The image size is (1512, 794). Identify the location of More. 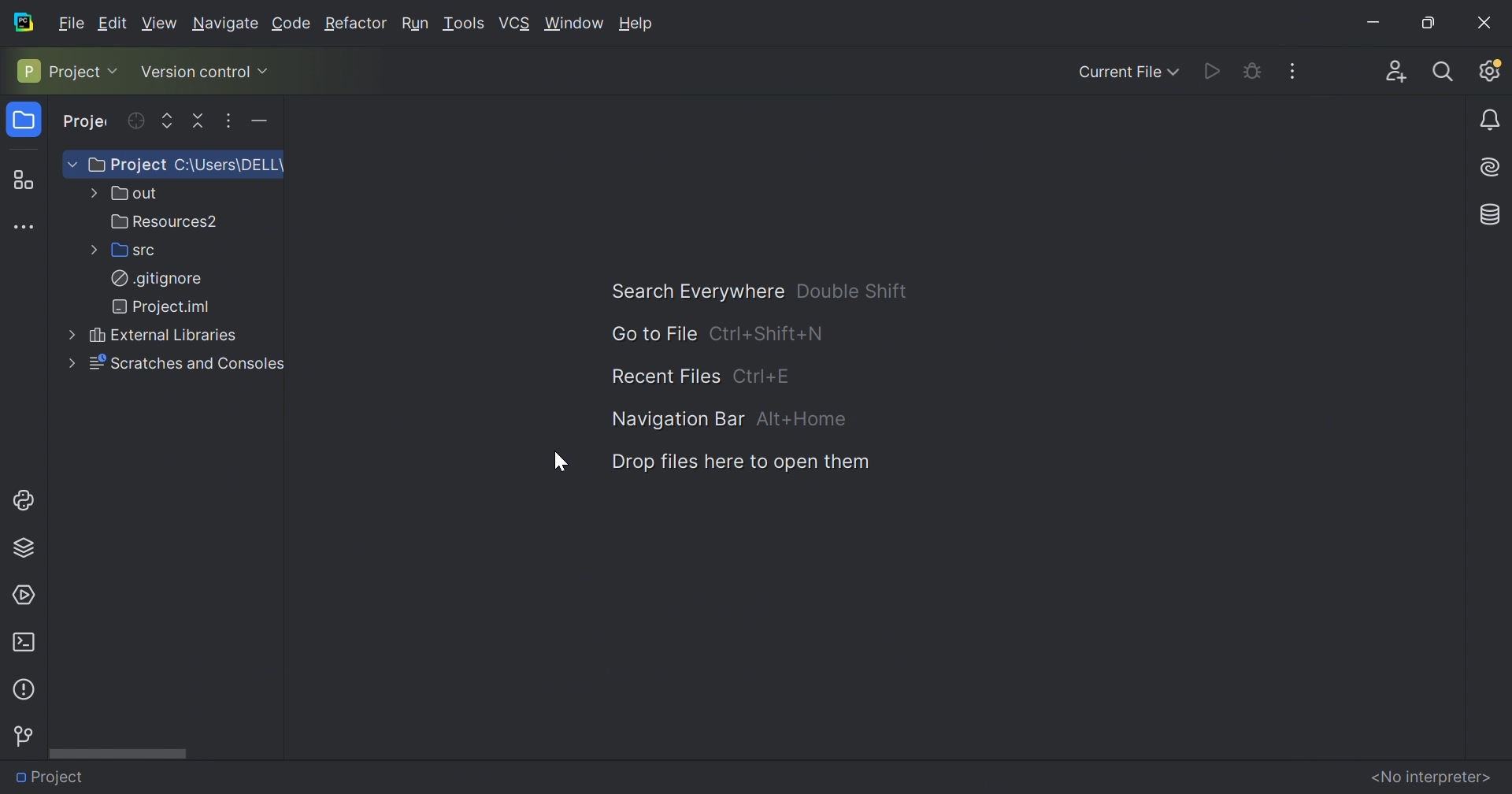
(91, 250).